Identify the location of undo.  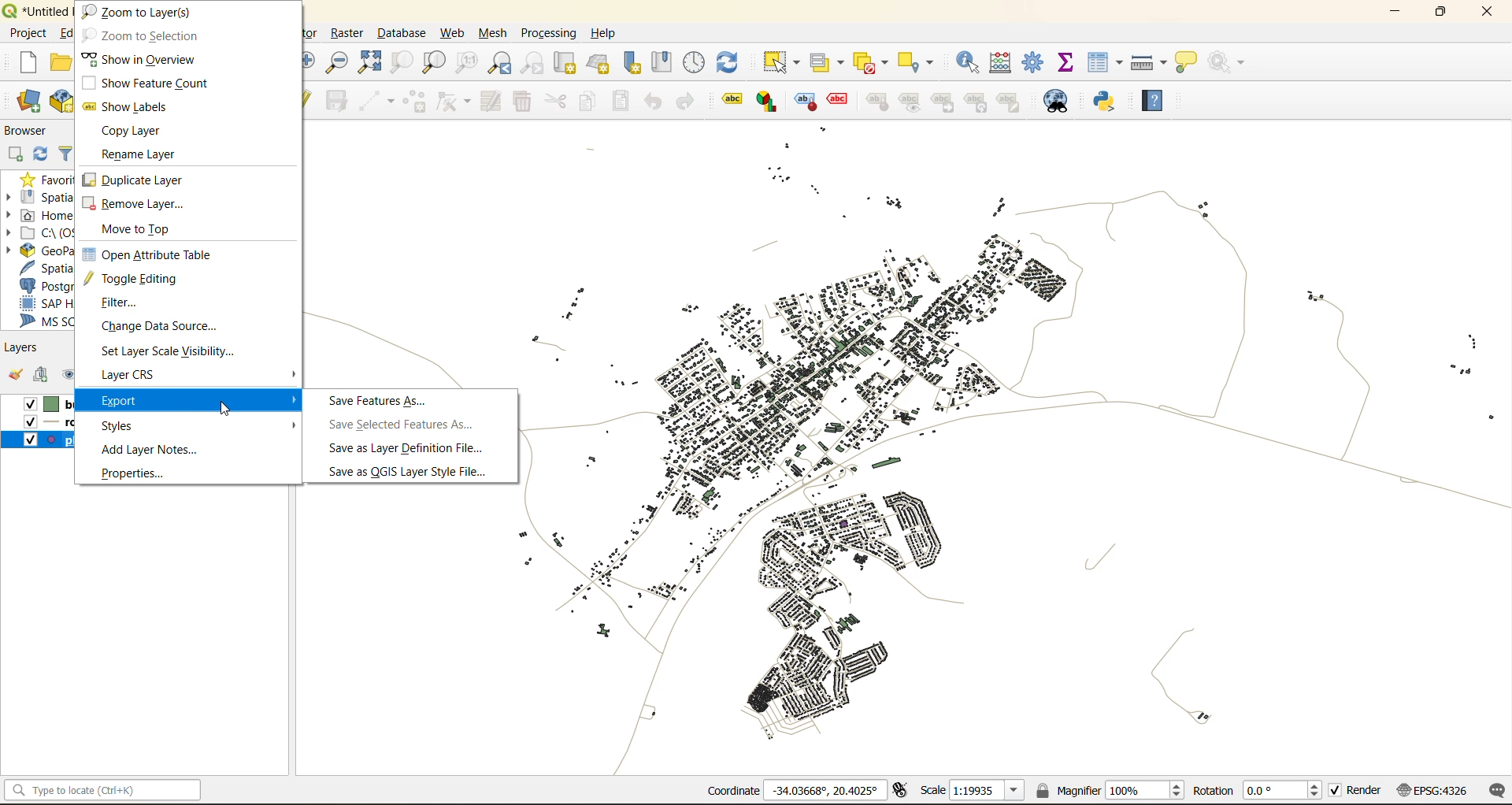
(652, 101).